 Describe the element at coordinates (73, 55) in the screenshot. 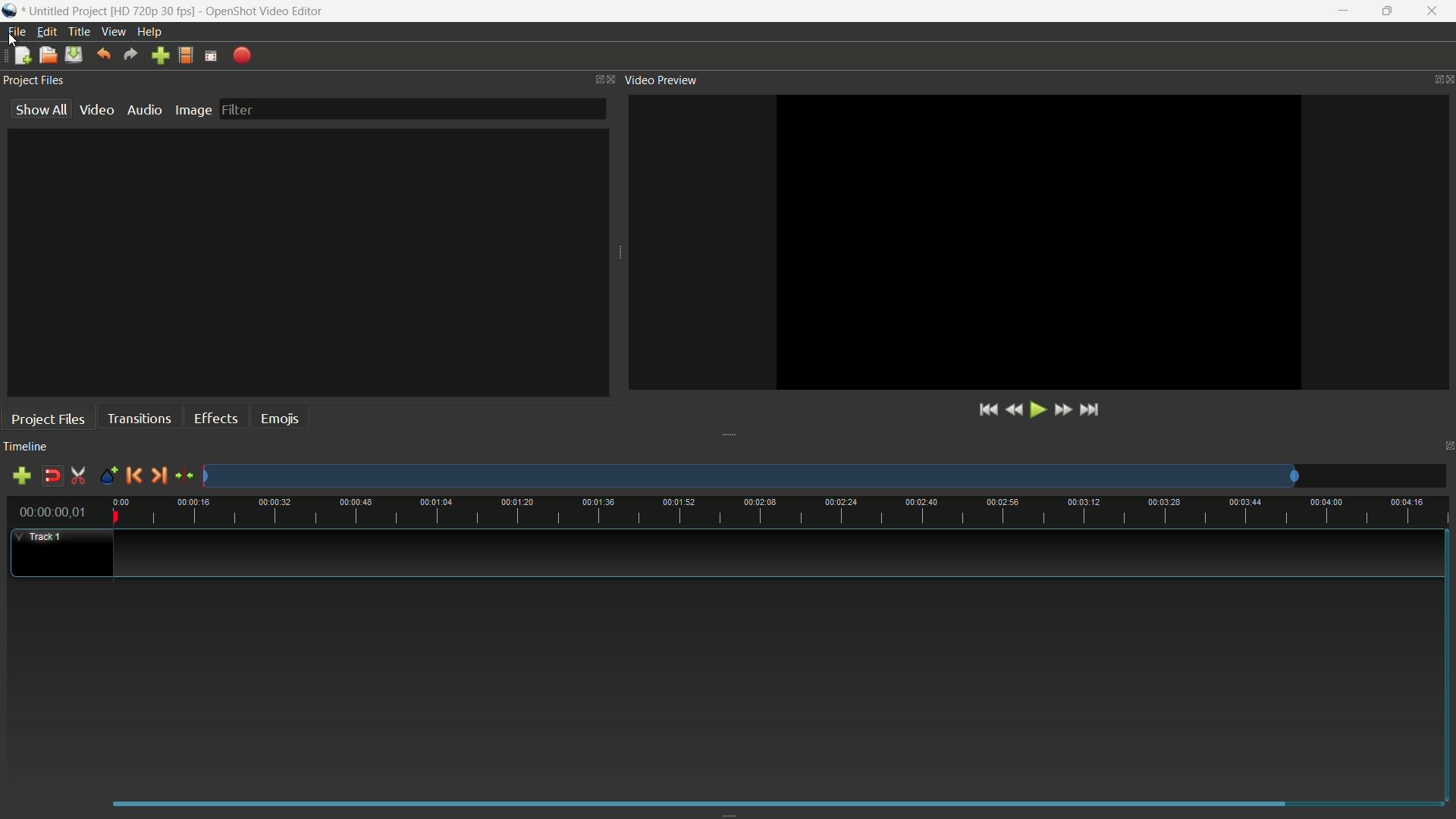

I see `save file` at that location.